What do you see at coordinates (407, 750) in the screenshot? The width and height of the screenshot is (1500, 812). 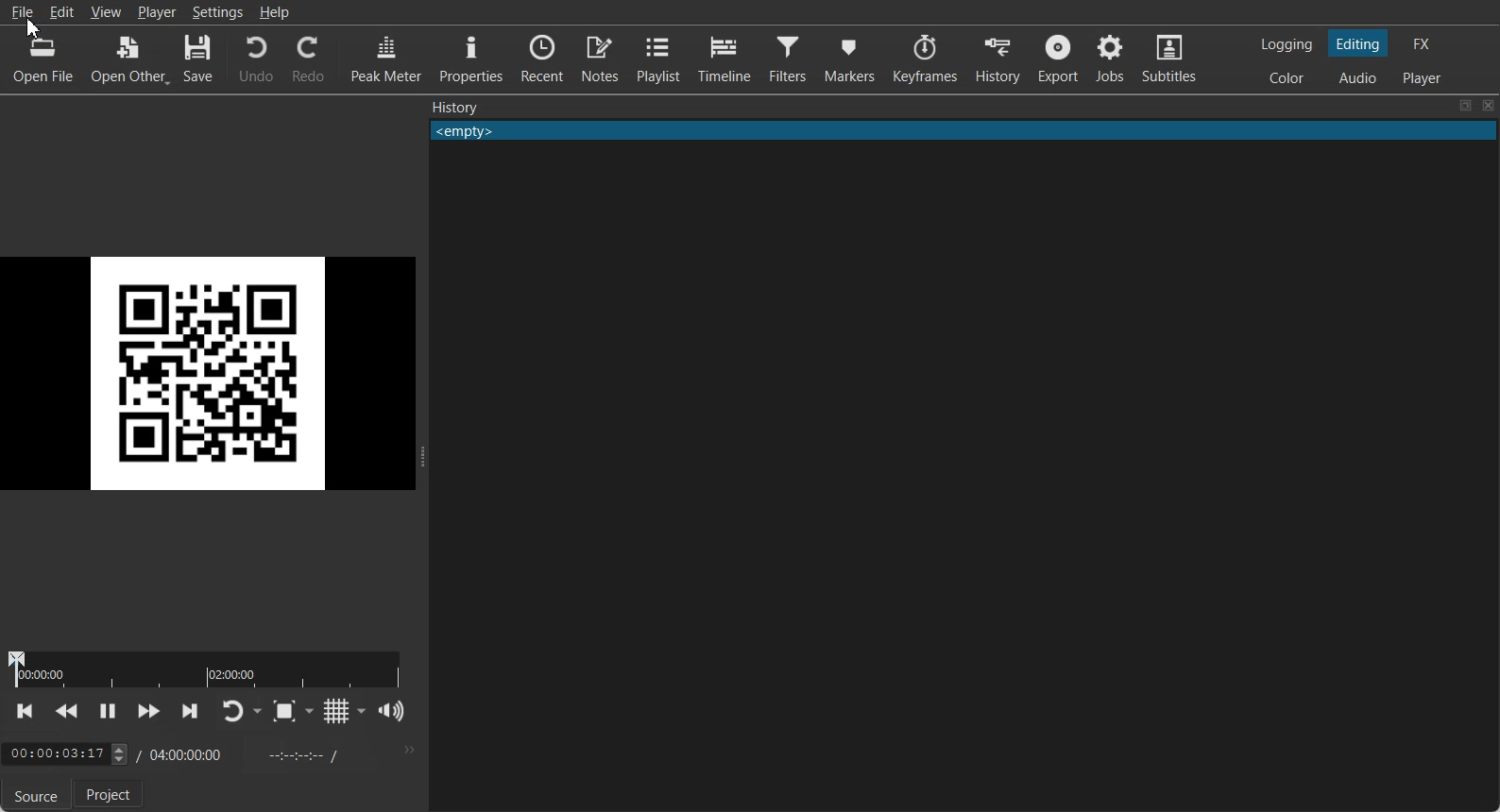 I see `More` at bounding box center [407, 750].